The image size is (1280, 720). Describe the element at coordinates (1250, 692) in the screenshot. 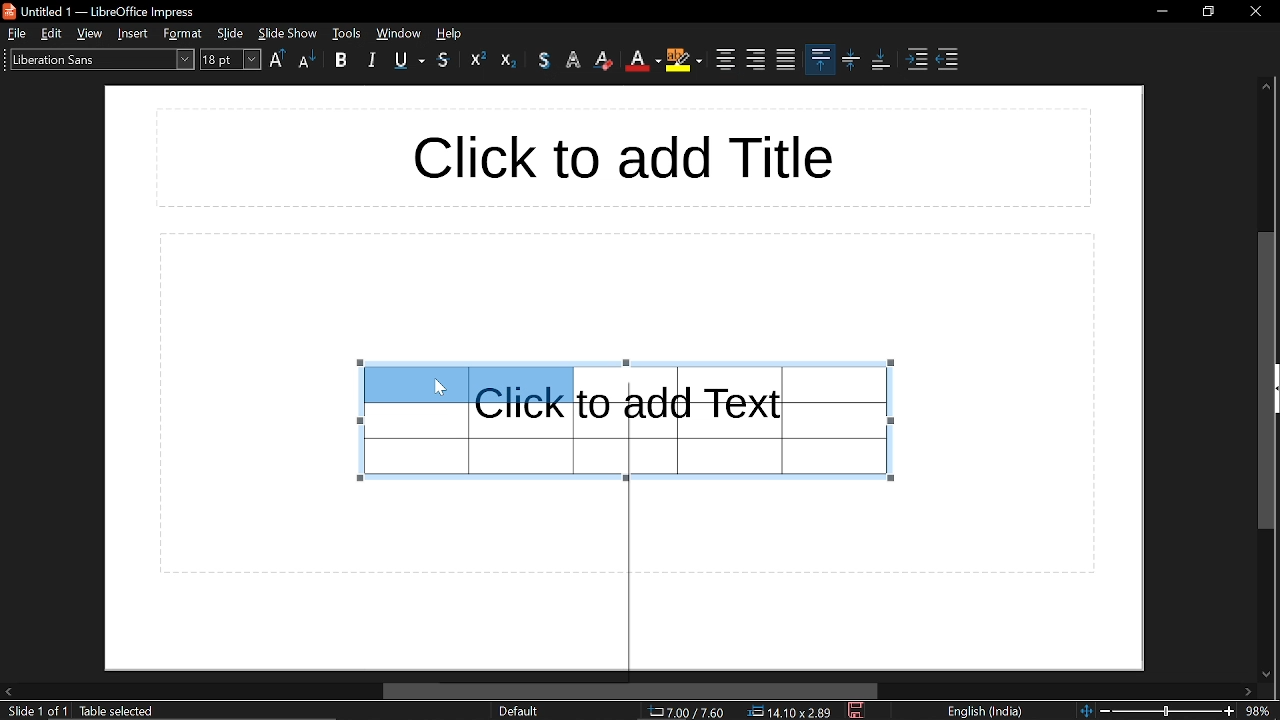

I see `move right` at that location.